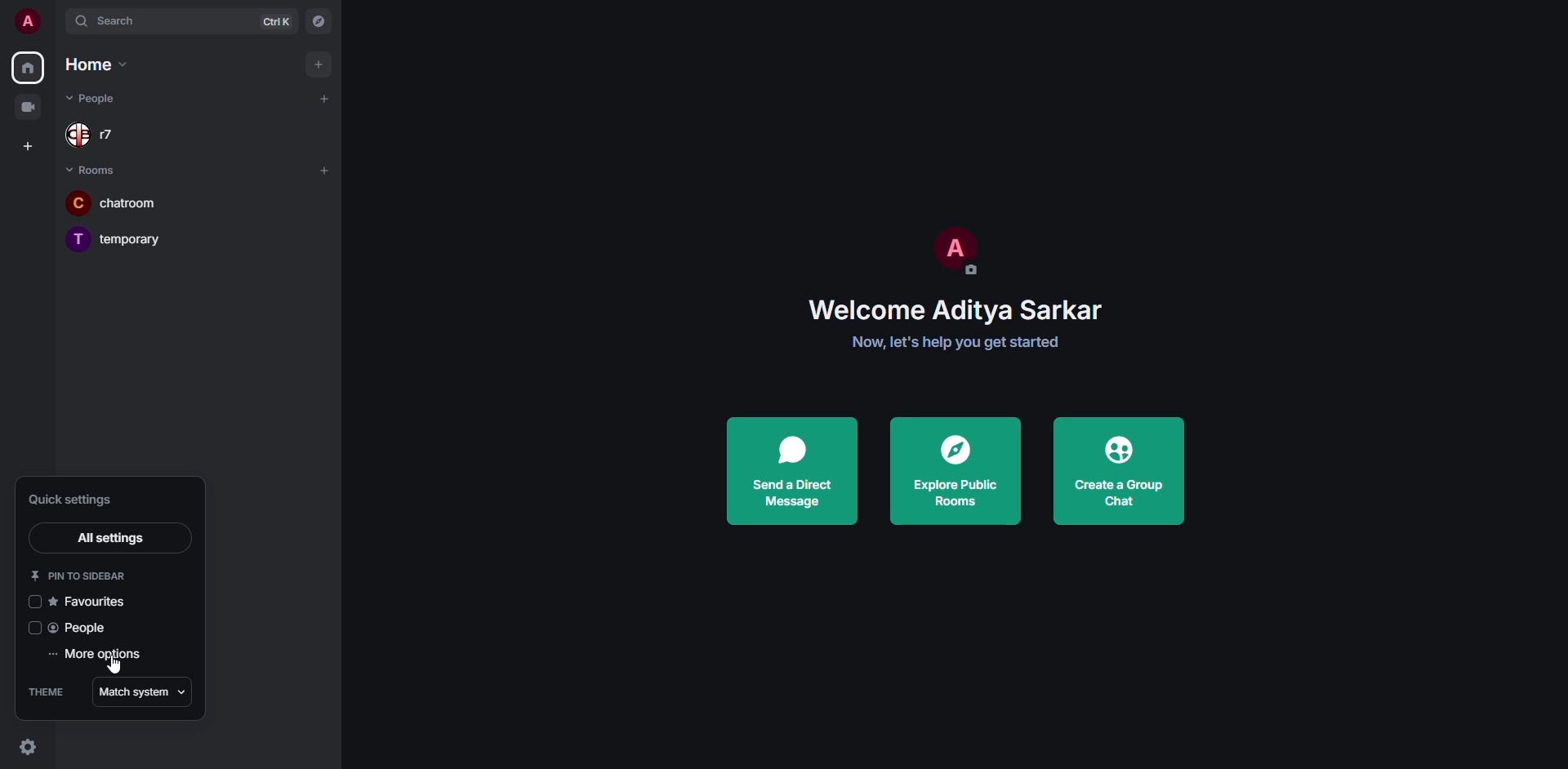  Describe the element at coordinates (791, 469) in the screenshot. I see `send a direct message` at that location.